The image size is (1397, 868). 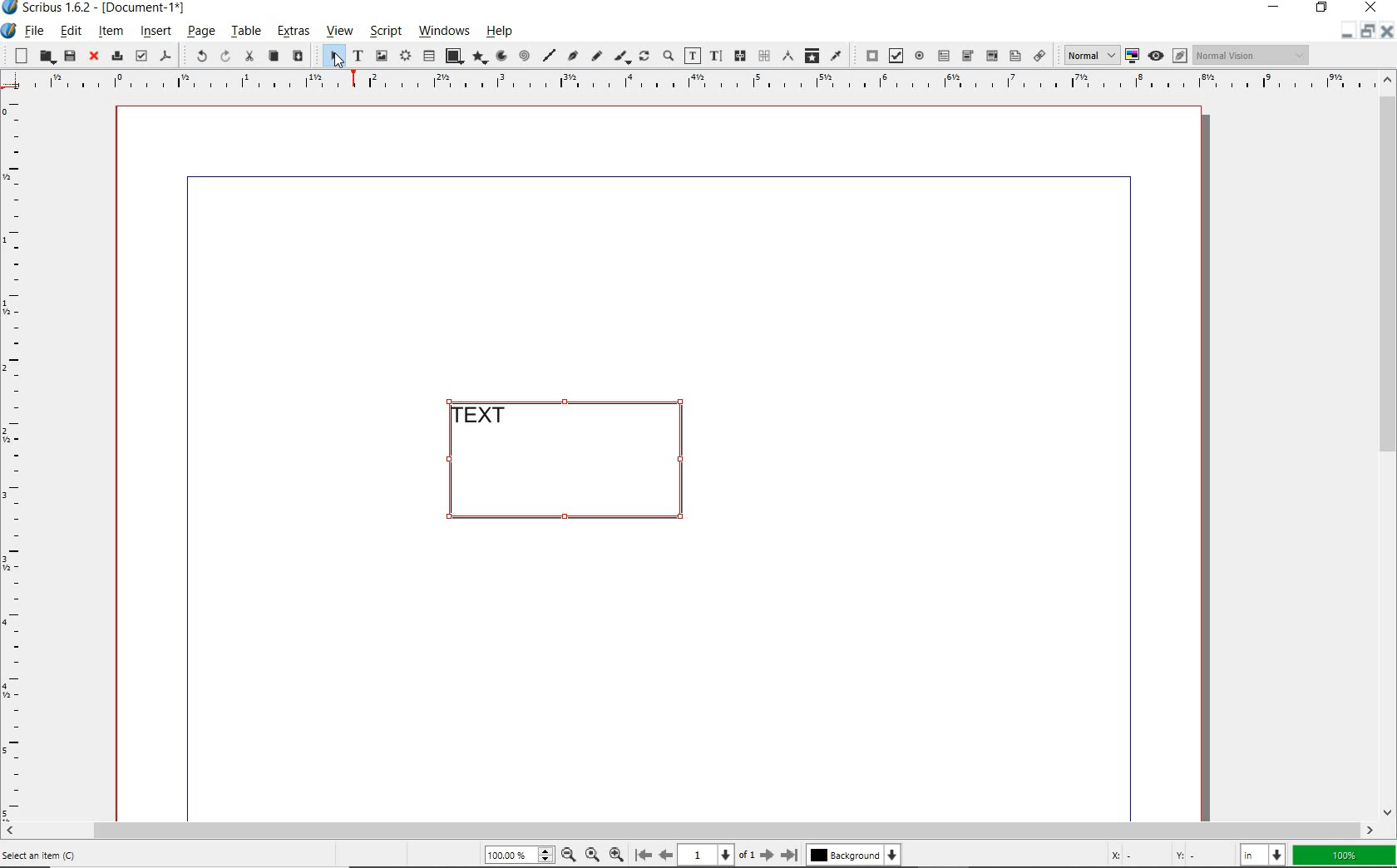 What do you see at coordinates (572, 55) in the screenshot?
I see `Bezier curve` at bounding box center [572, 55].